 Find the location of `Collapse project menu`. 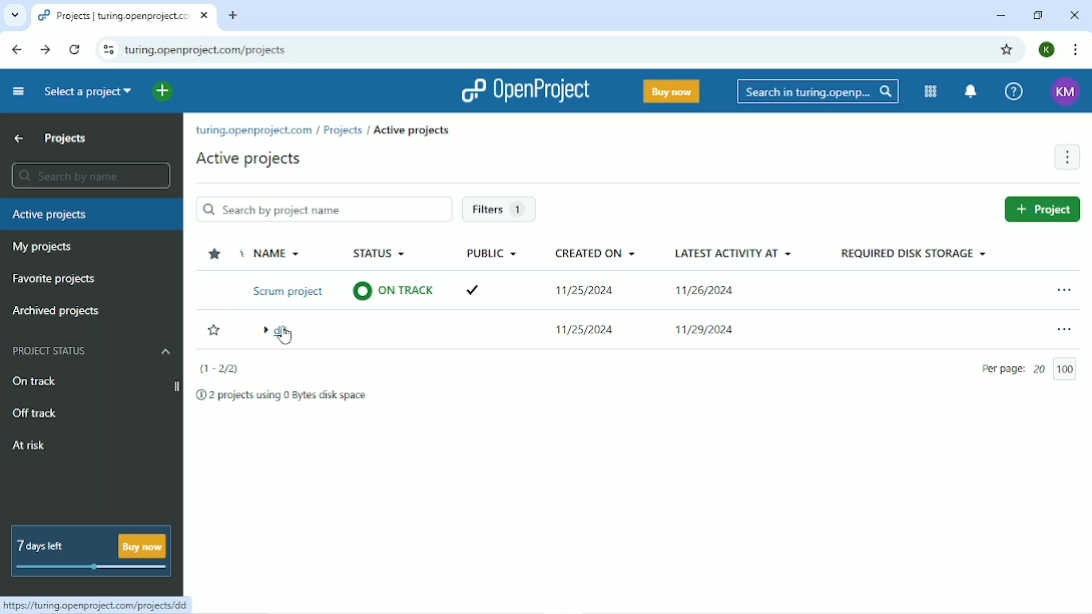

Collapse project menu is located at coordinates (17, 93).